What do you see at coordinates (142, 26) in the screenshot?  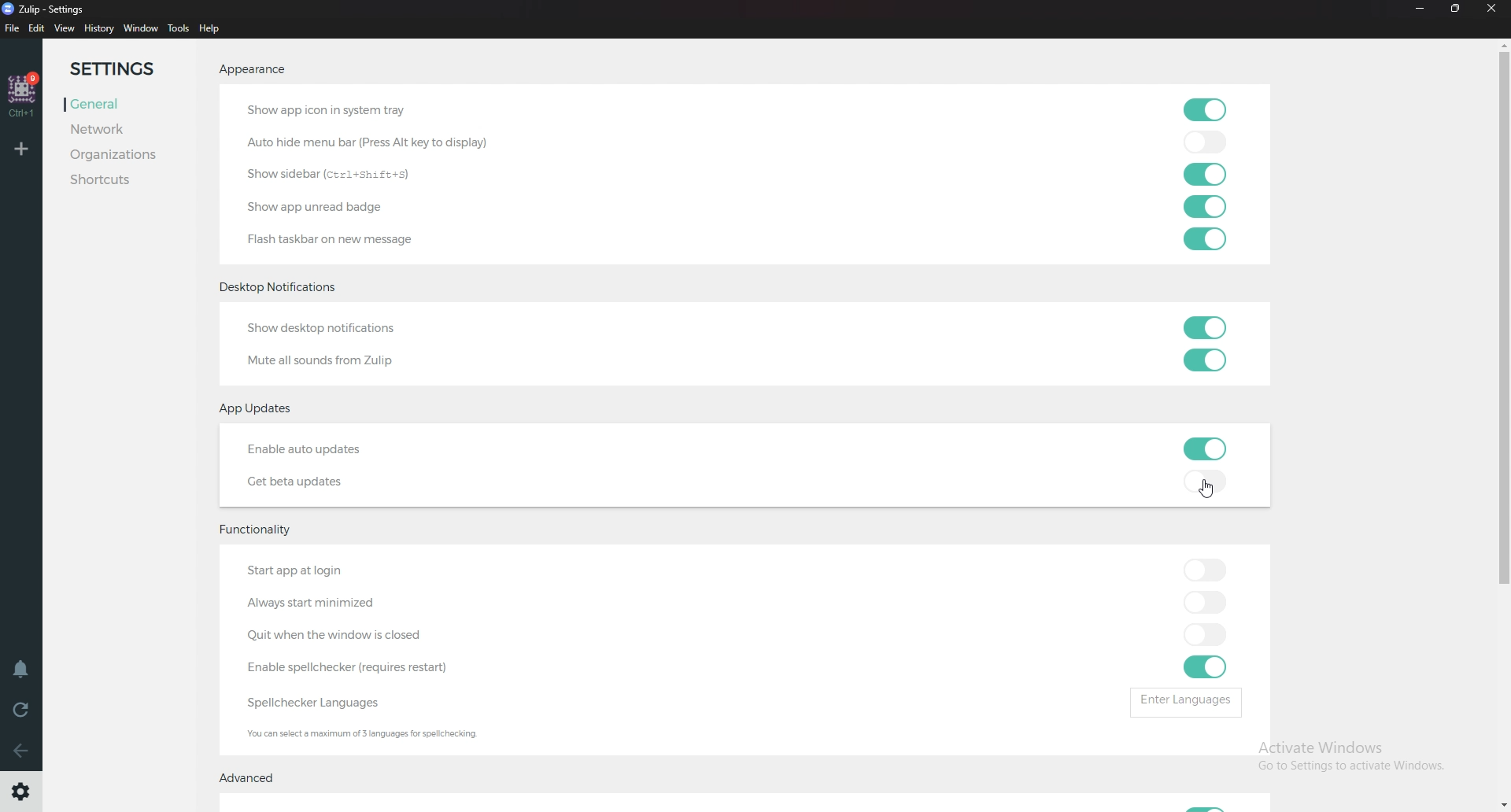 I see `Window` at bounding box center [142, 26].